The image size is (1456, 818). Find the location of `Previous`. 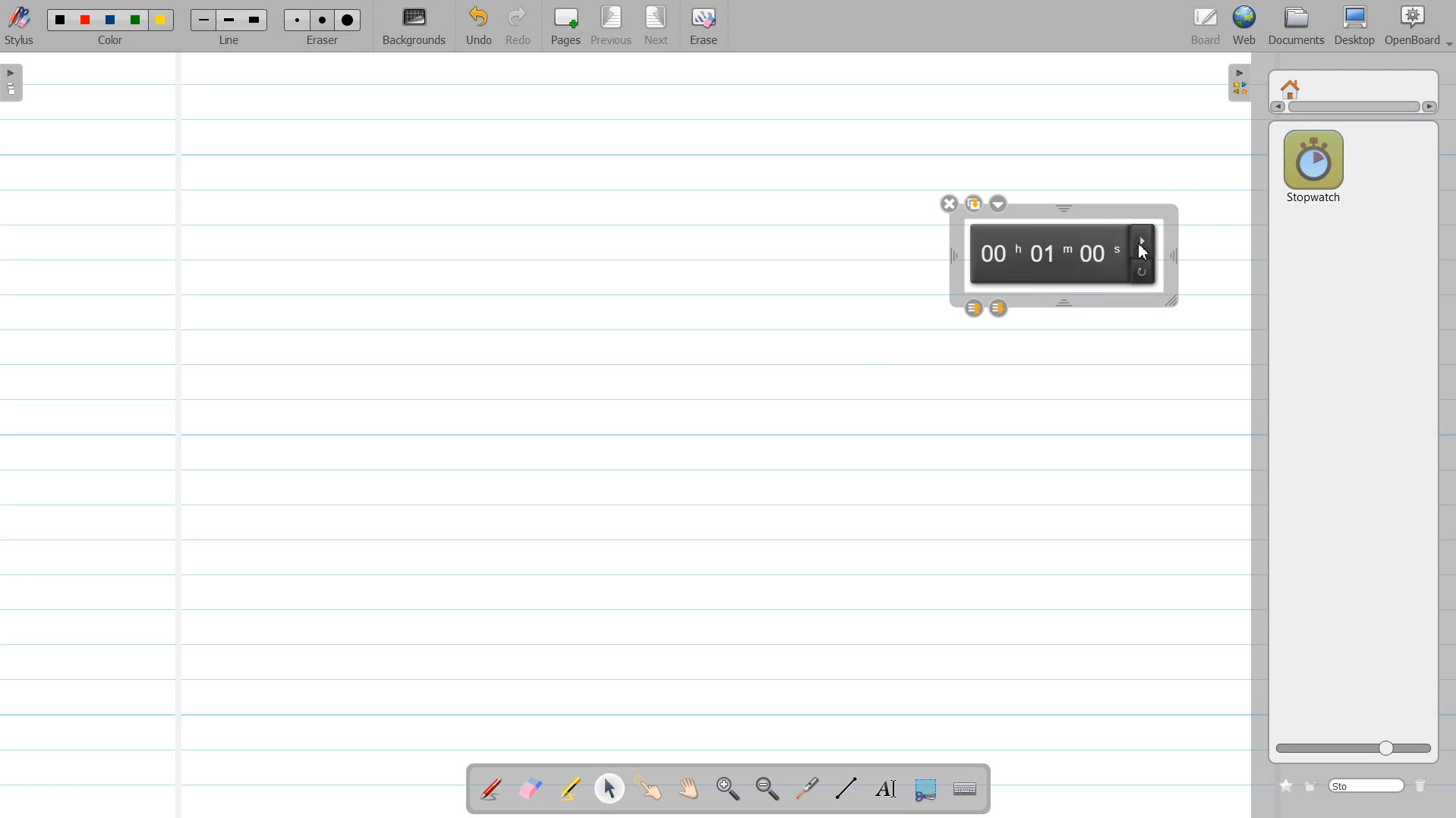

Previous is located at coordinates (613, 27).